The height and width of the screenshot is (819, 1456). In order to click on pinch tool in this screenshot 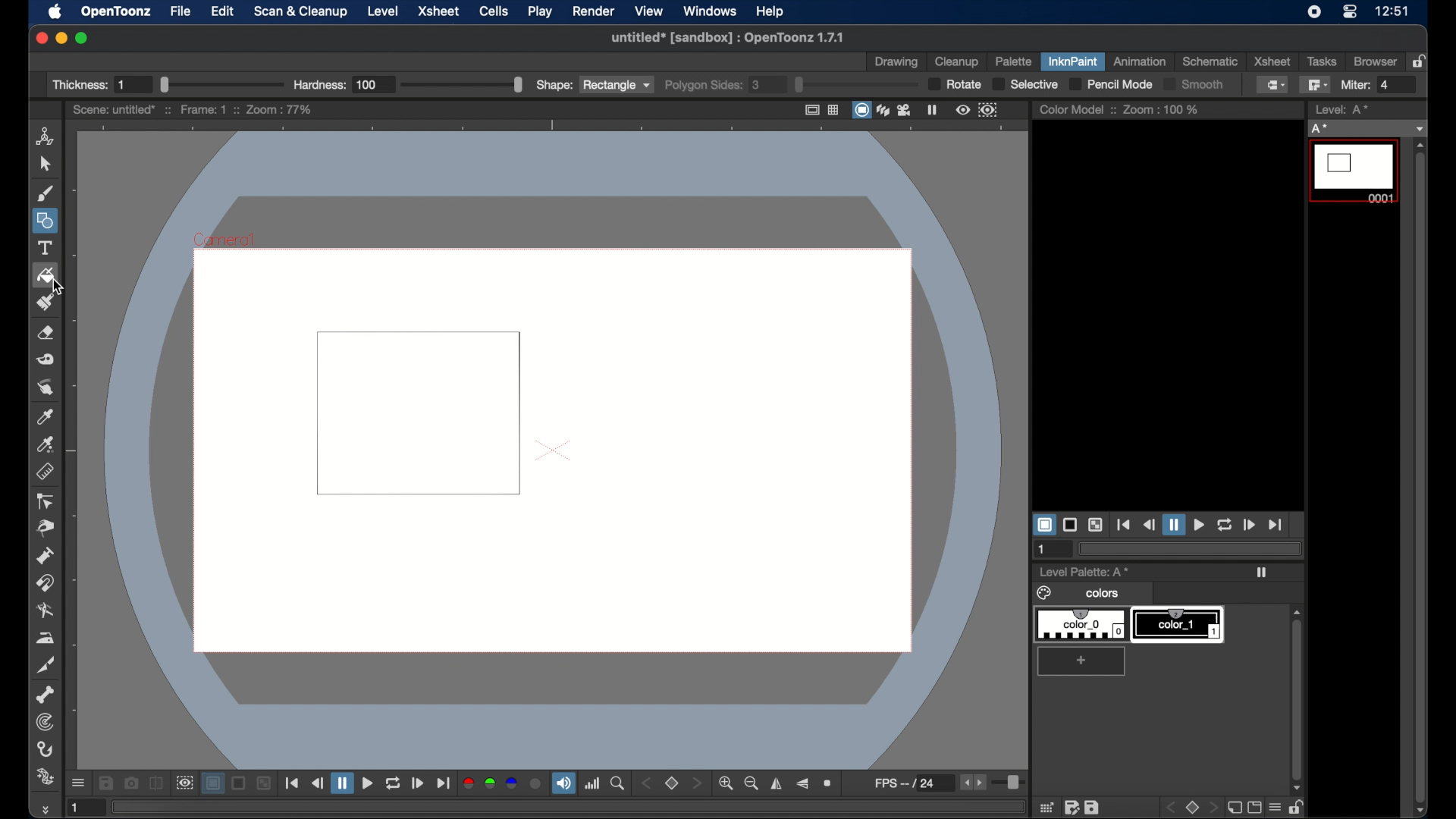, I will do `click(45, 528)`.